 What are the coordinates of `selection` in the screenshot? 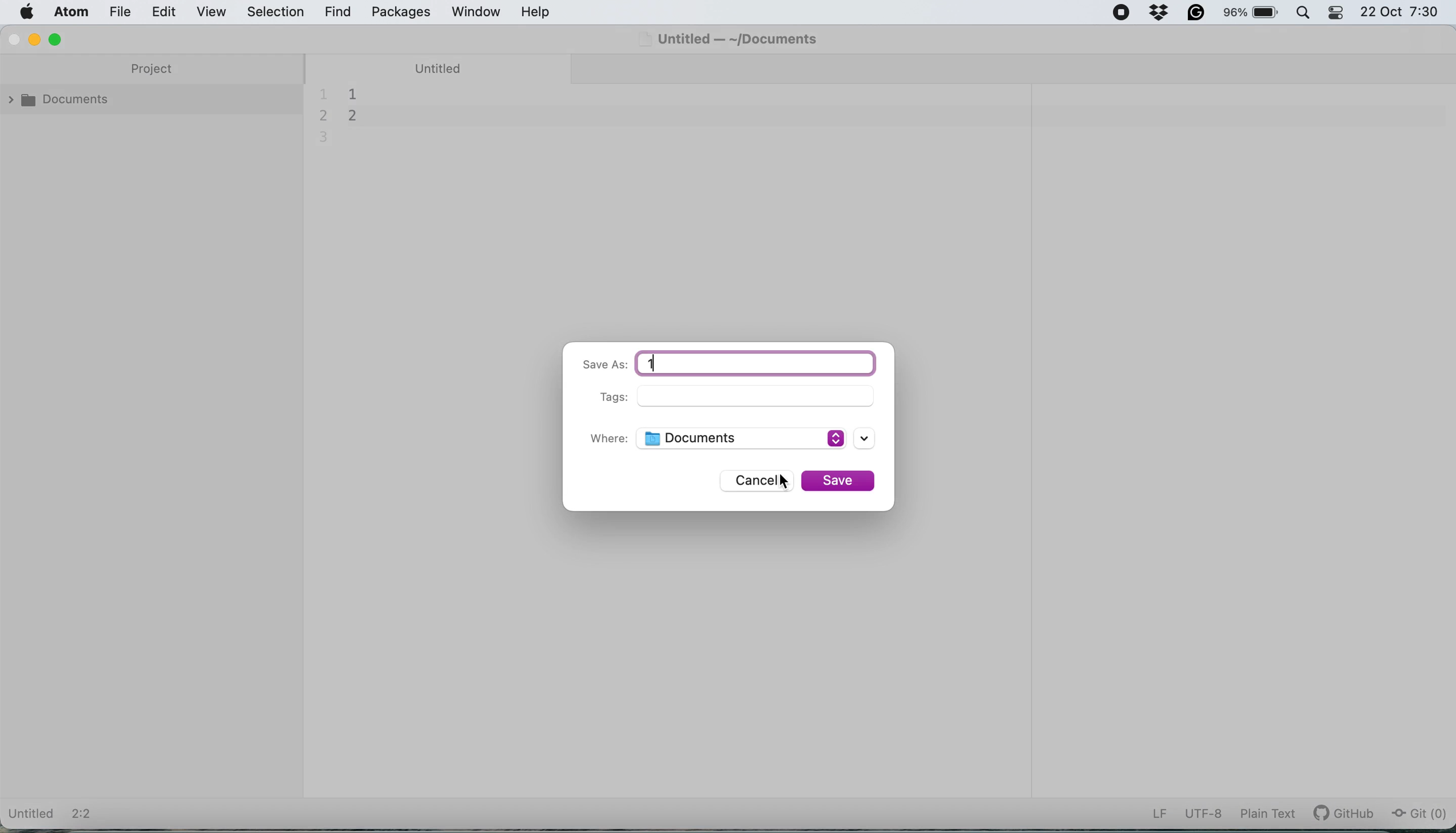 It's located at (278, 11).